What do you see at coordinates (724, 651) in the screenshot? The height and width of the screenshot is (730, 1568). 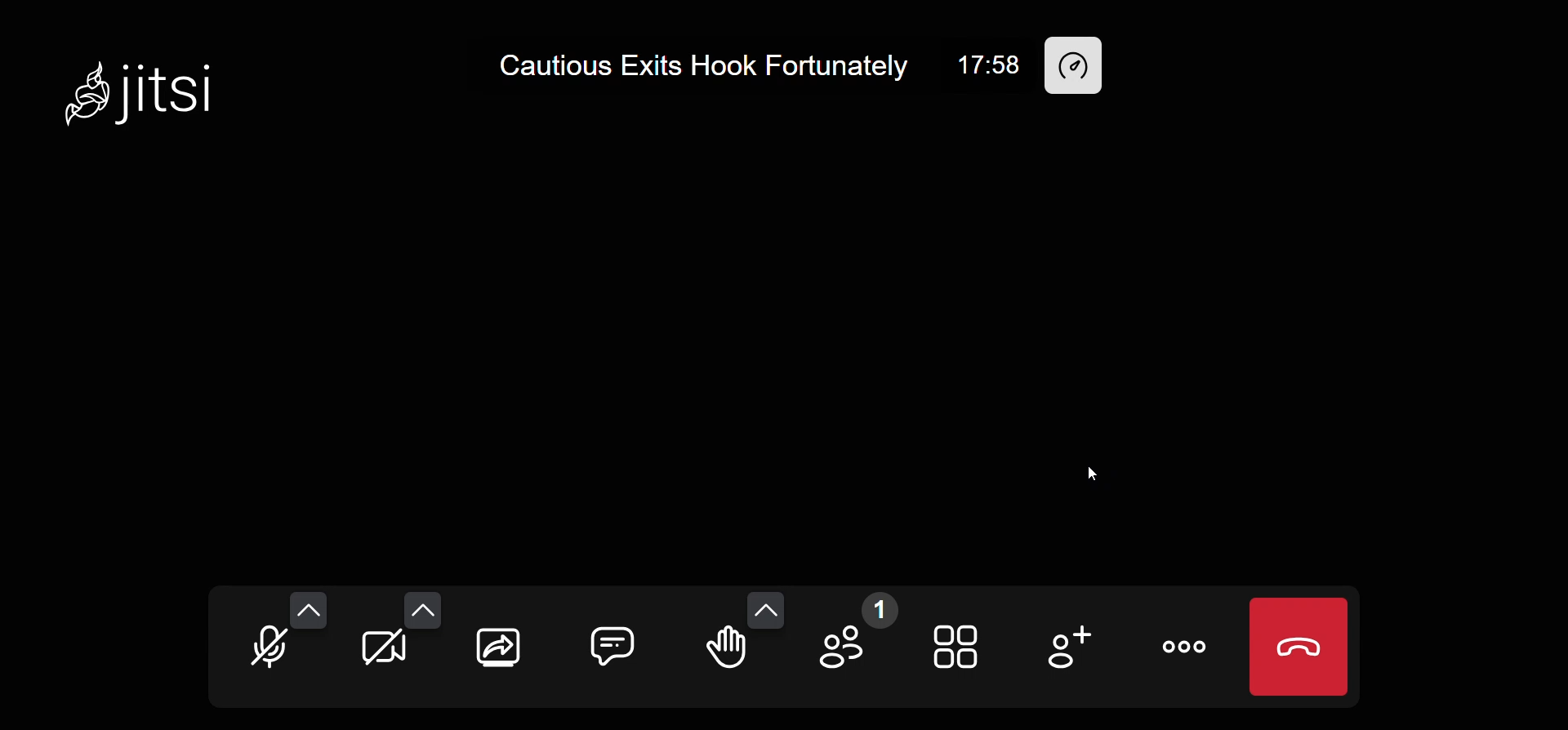 I see `raise hand` at bounding box center [724, 651].